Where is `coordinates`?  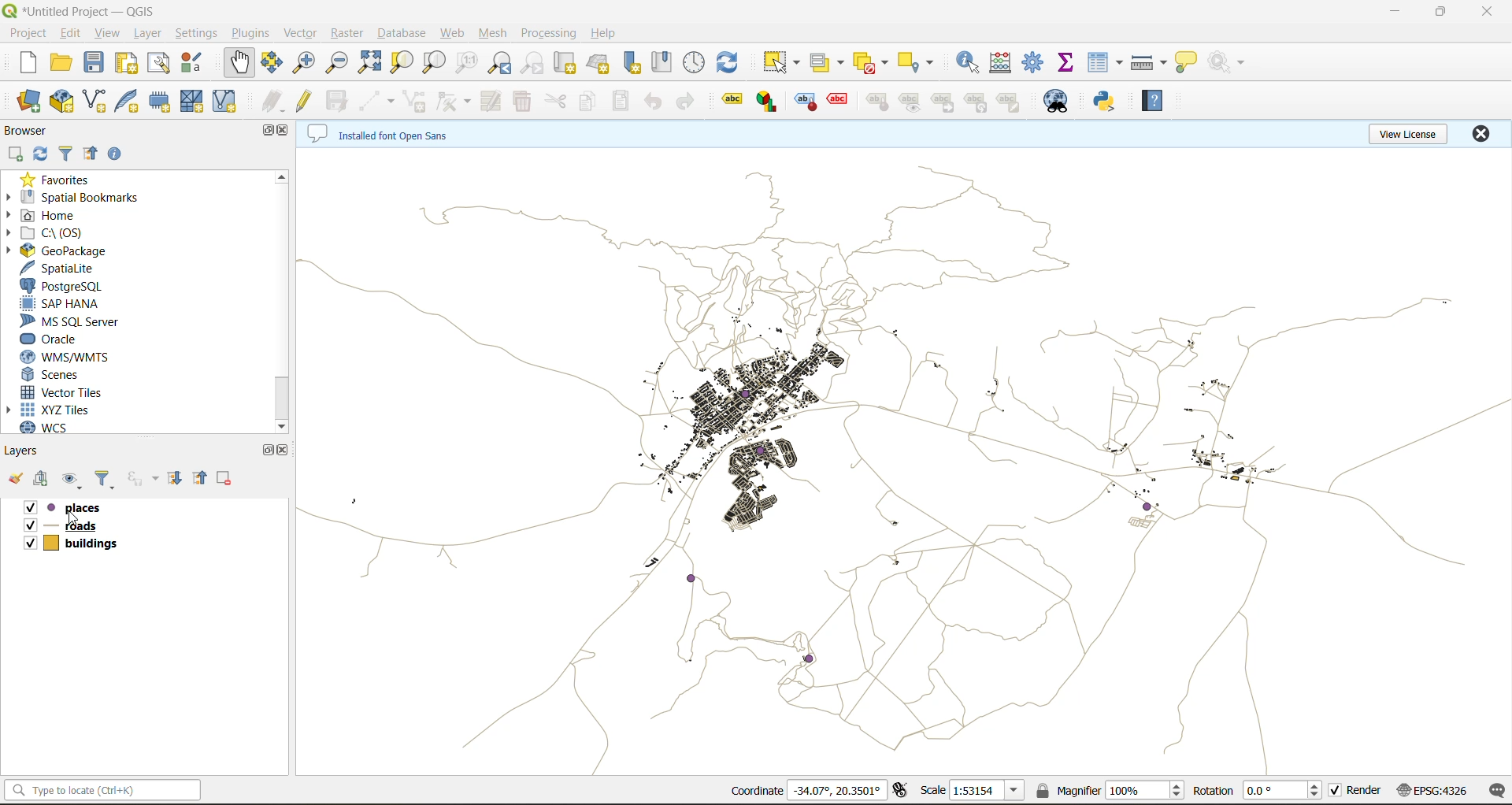
coordinates is located at coordinates (811, 789).